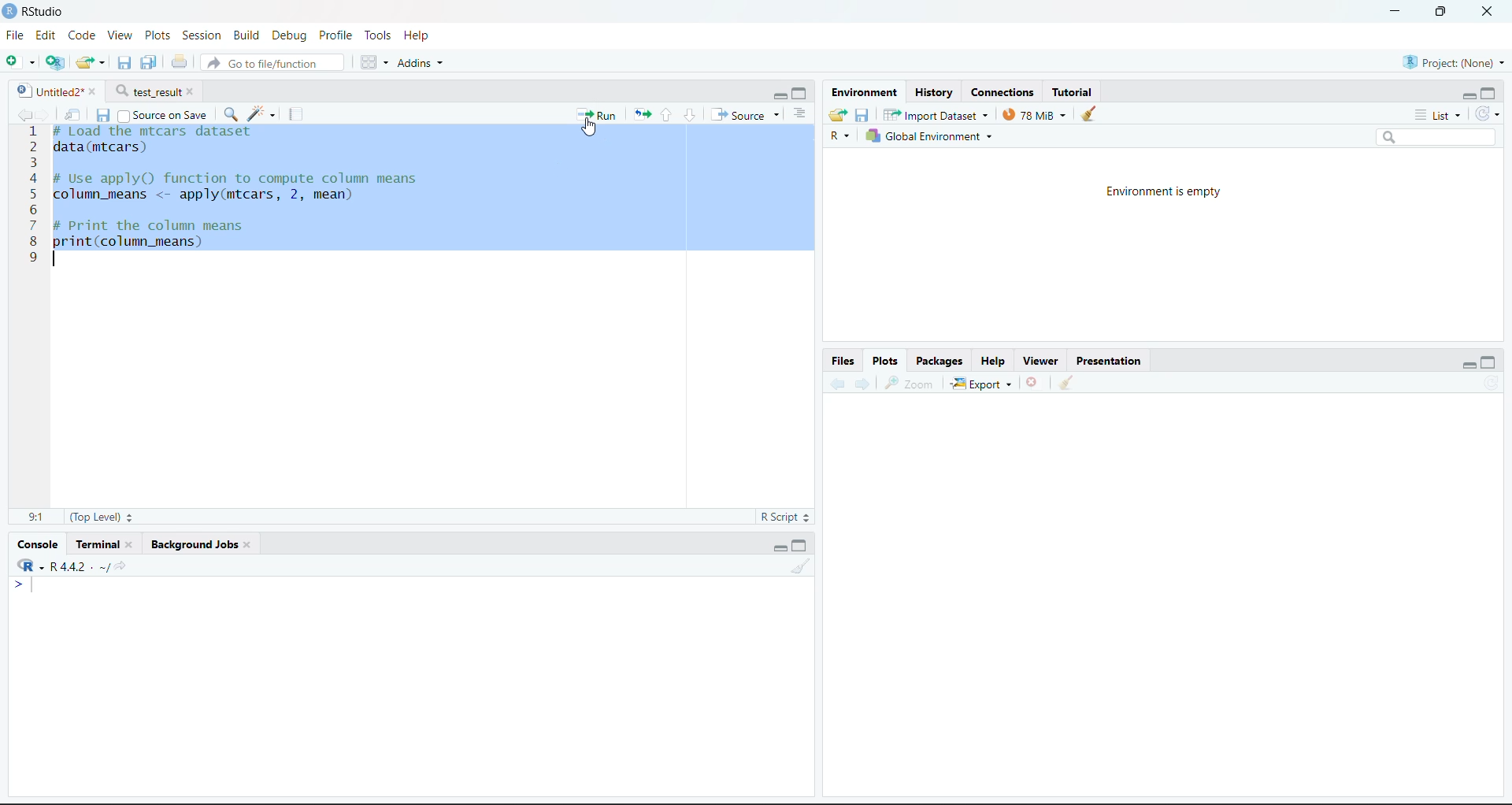 This screenshot has height=805, width=1512. Describe the element at coordinates (837, 135) in the screenshot. I see `R` at that location.